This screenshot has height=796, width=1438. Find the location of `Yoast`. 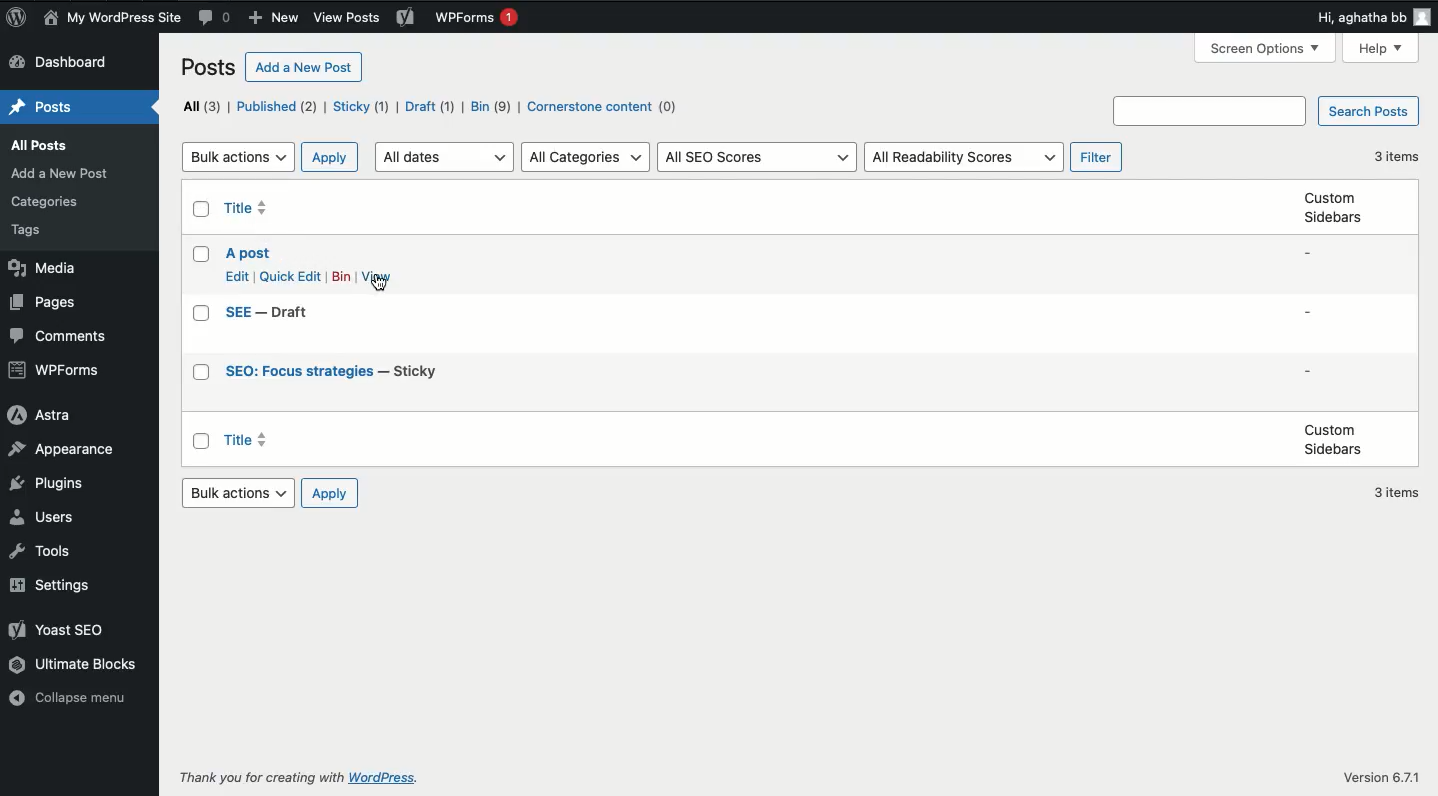

Yoast is located at coordinates (410, 18).